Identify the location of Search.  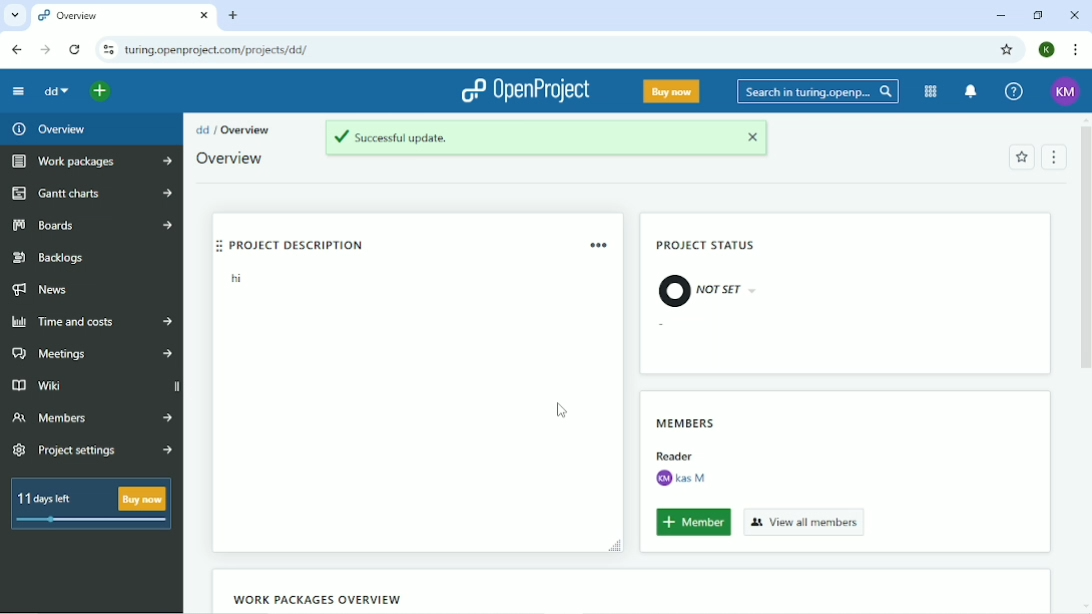
(818, 90).